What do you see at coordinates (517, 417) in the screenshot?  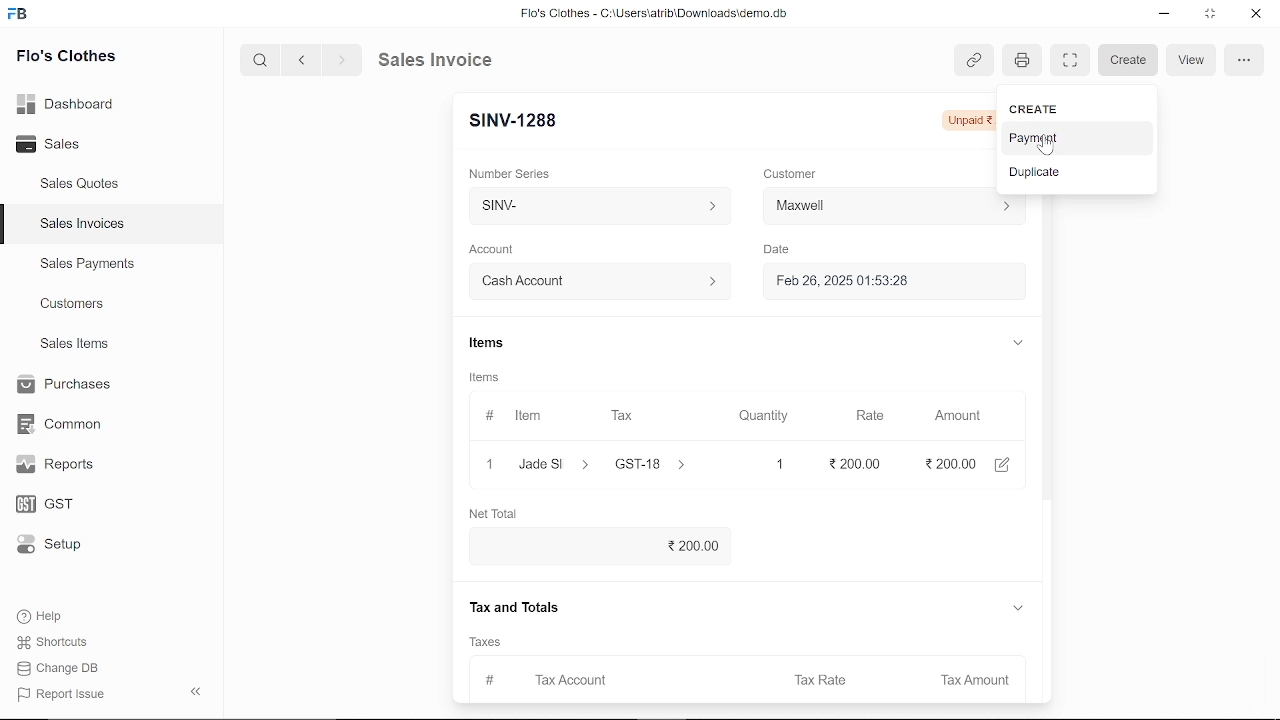 I see `Item` at bounding box center [517, 417].